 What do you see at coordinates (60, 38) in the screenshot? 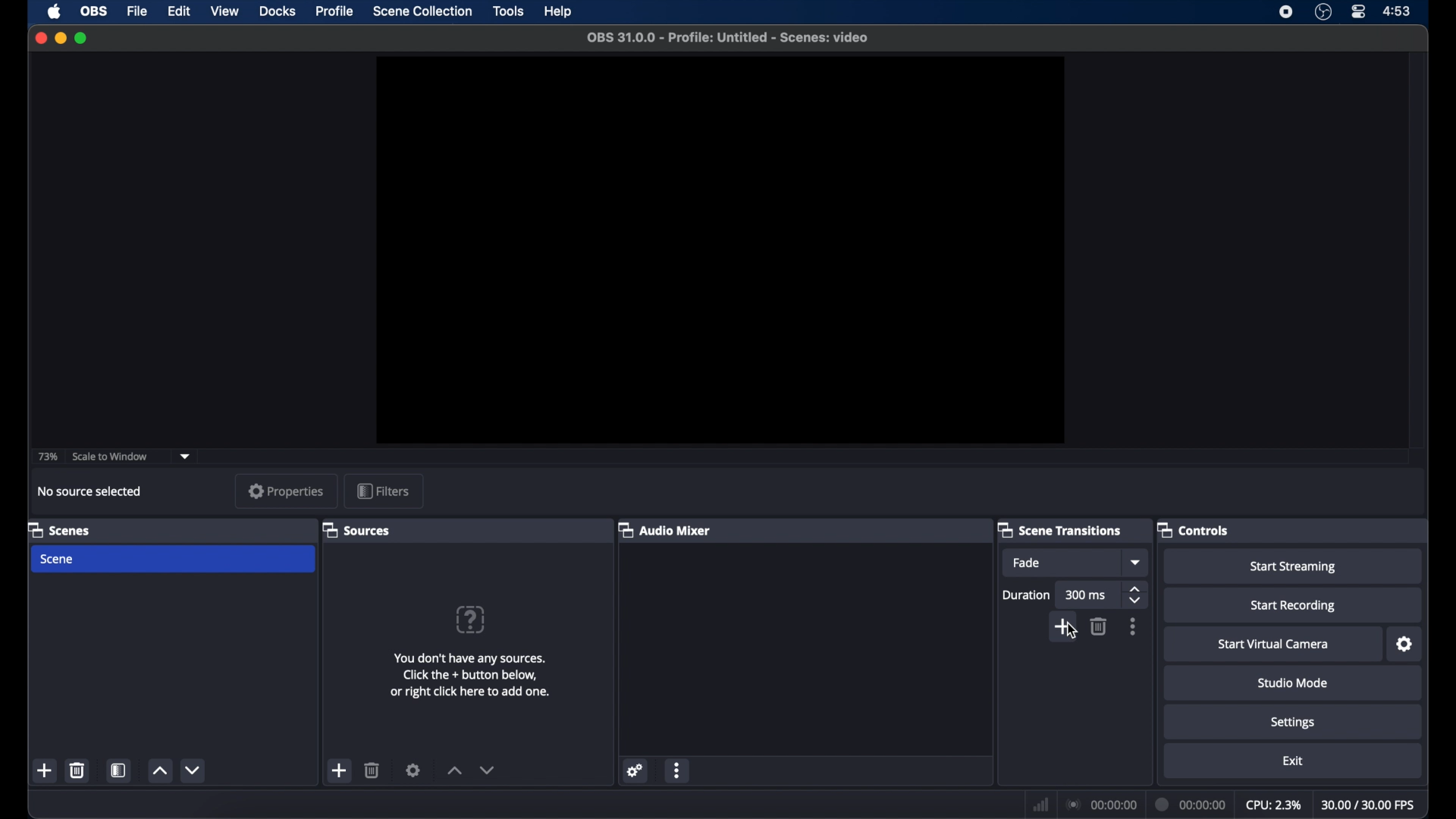
I see `minimize` at bounding box center [60, 38].